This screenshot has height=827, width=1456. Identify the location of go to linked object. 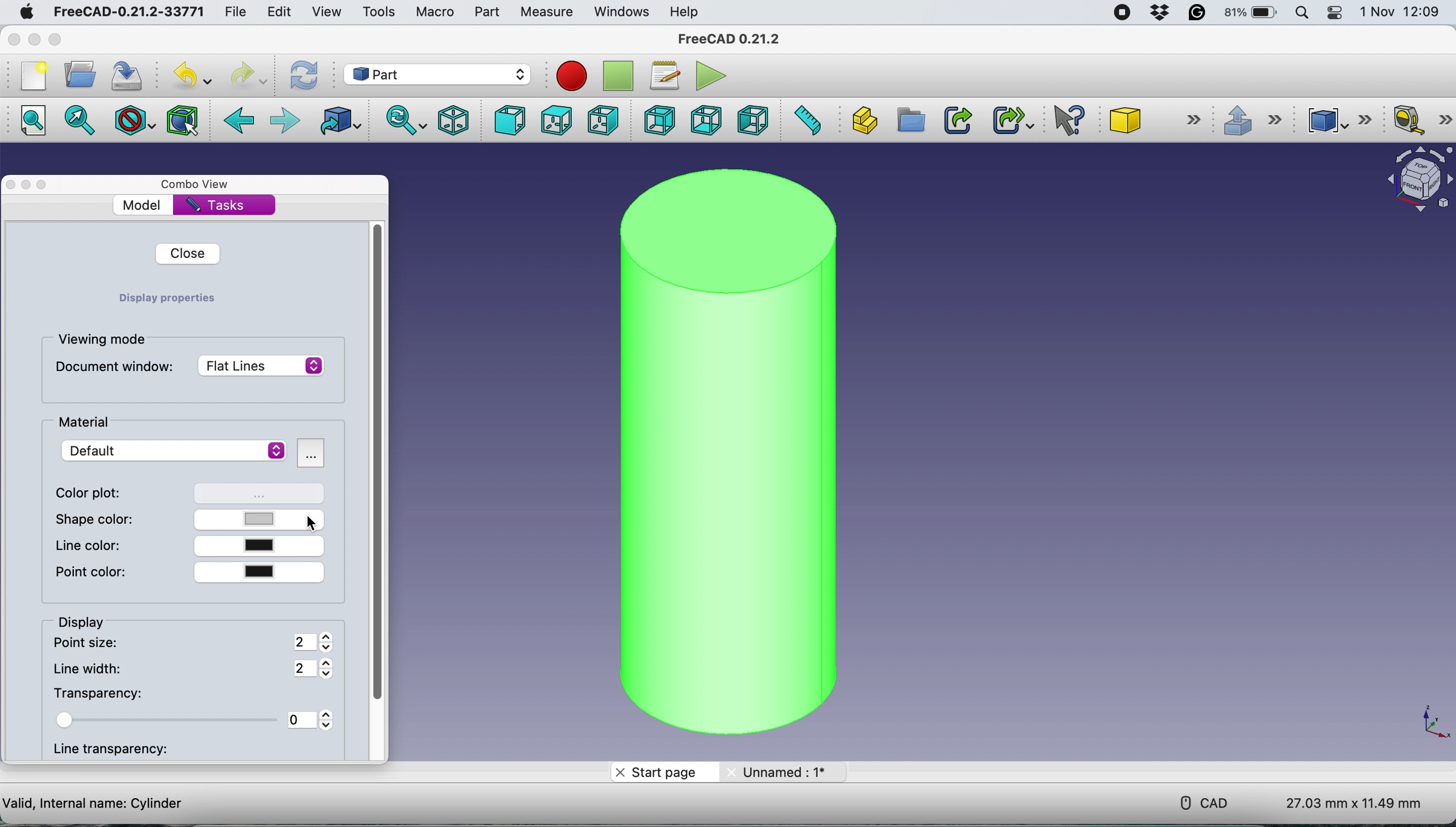
(343, 122).